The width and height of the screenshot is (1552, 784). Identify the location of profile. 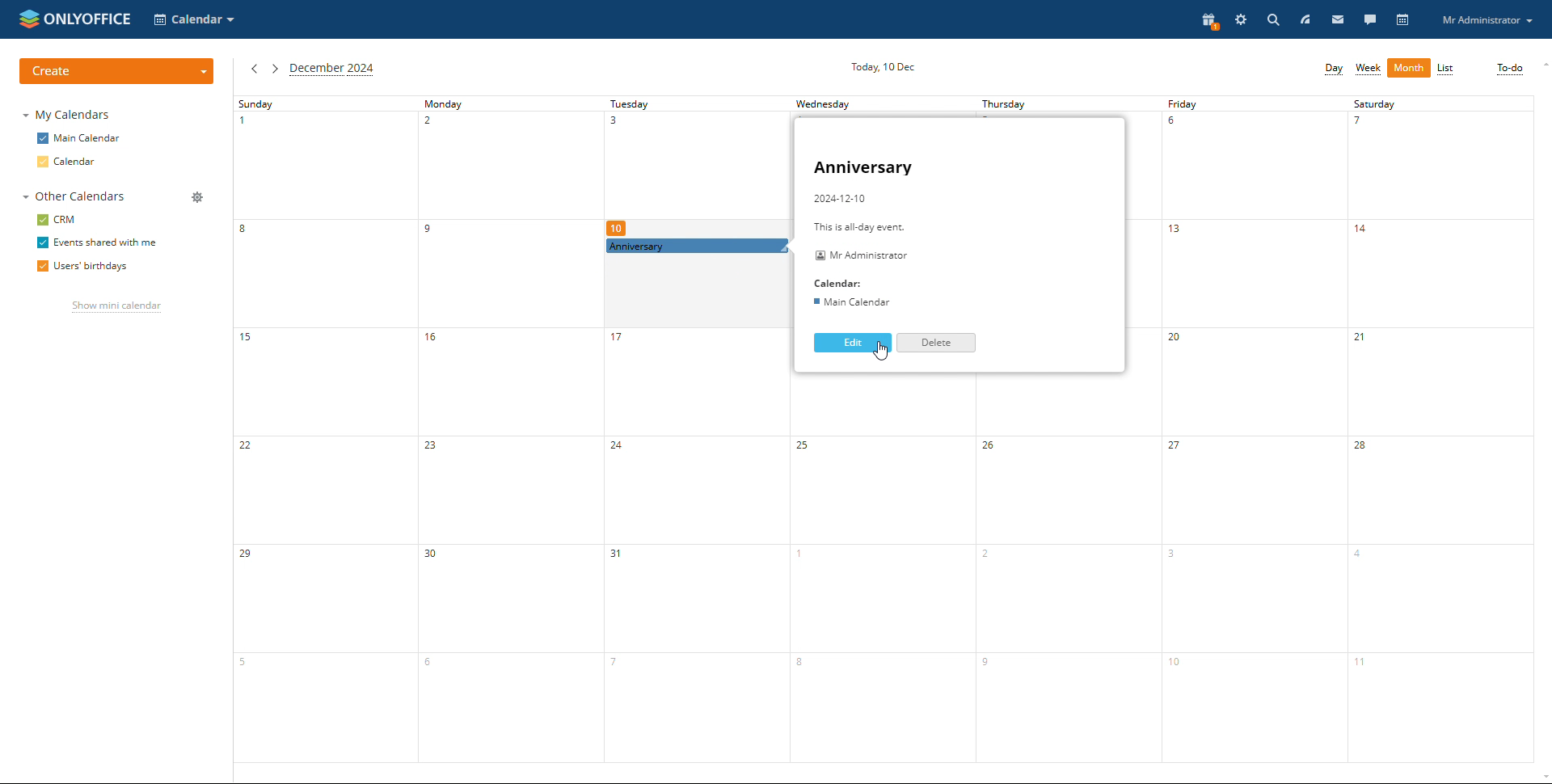
(1487, 19).